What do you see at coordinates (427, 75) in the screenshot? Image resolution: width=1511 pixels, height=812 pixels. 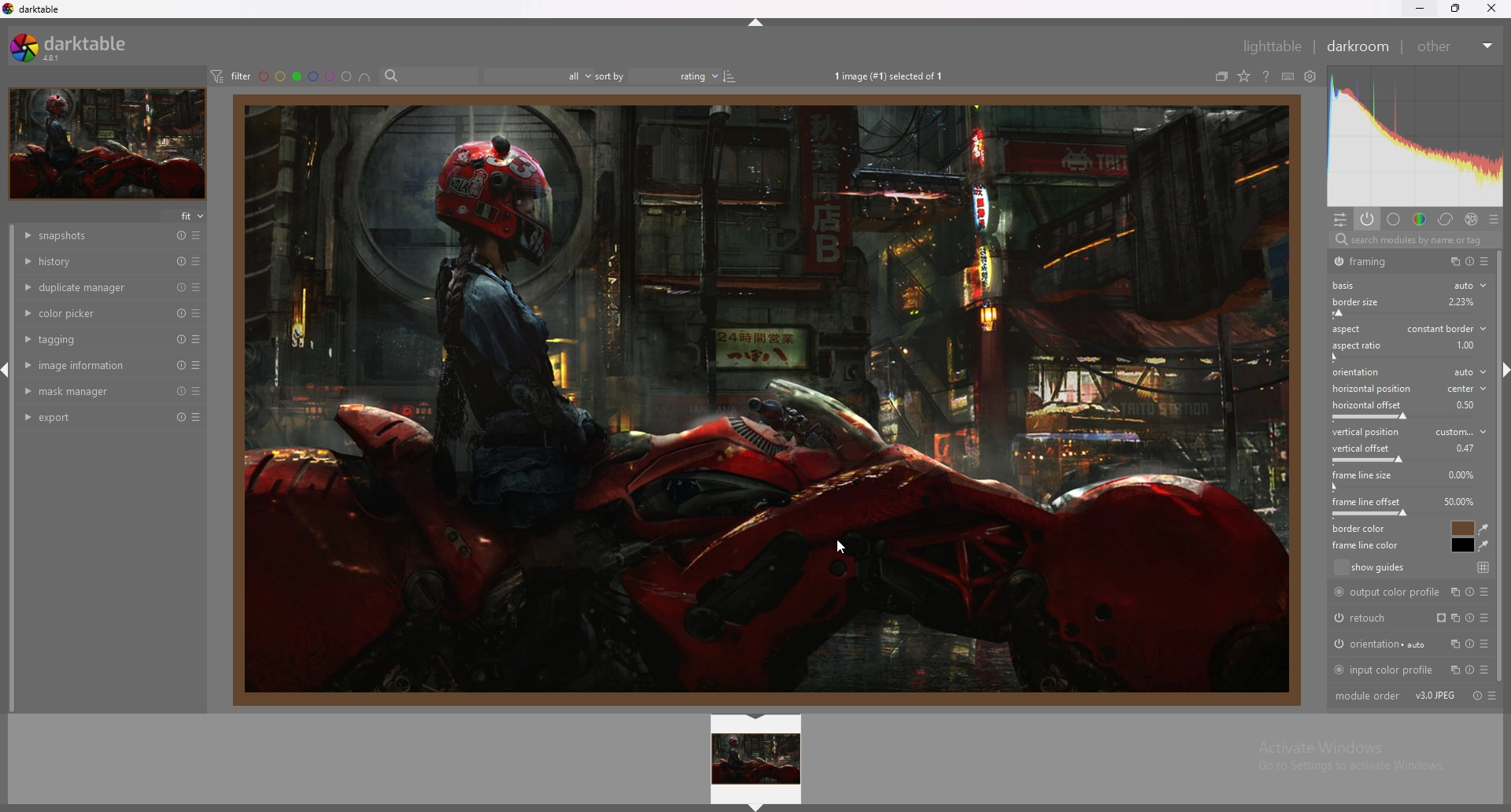 I see `search bar` at bounding box center [427, 75].